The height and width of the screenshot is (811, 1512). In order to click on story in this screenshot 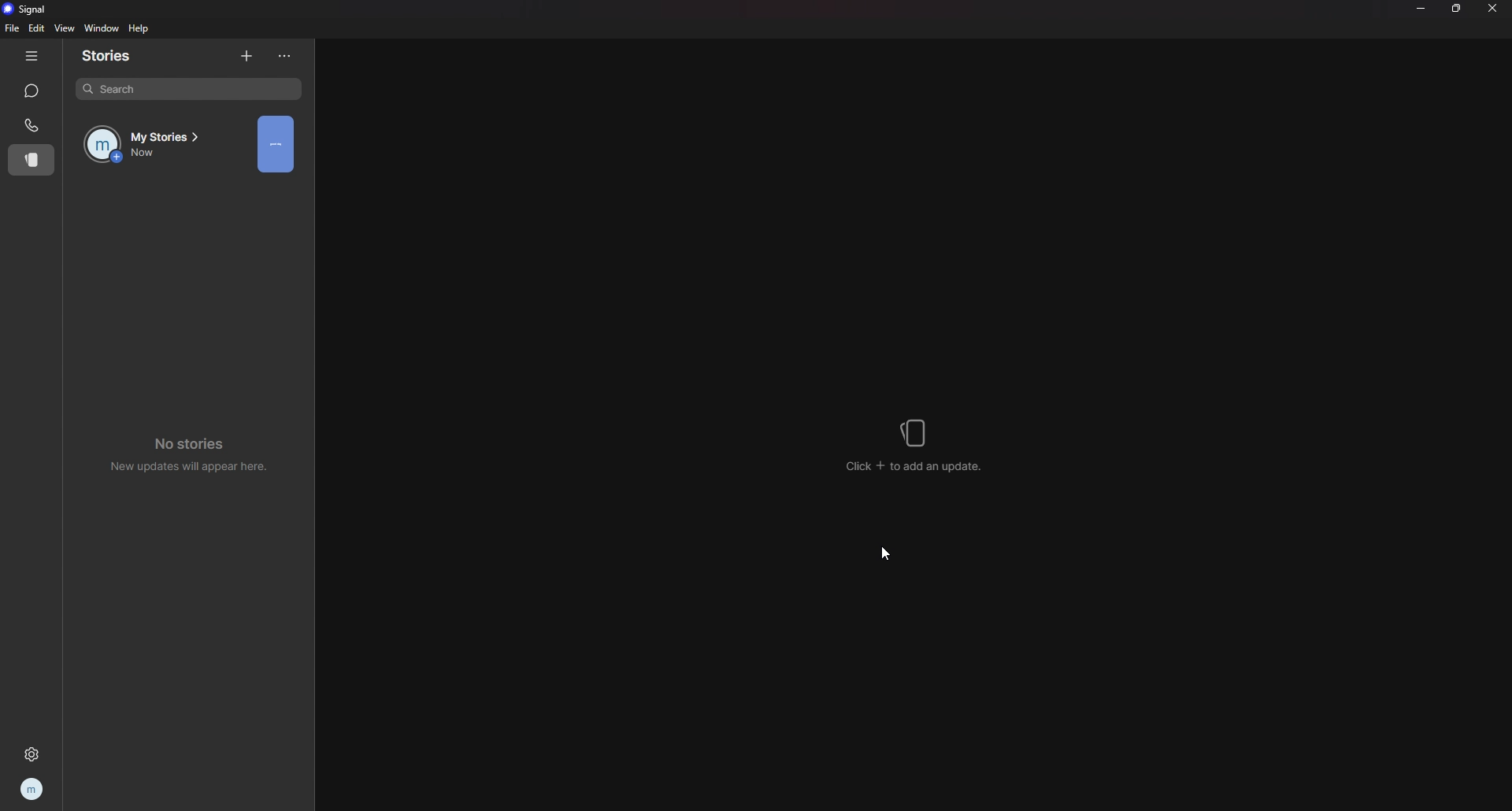, I will do `click(29, 161)`.